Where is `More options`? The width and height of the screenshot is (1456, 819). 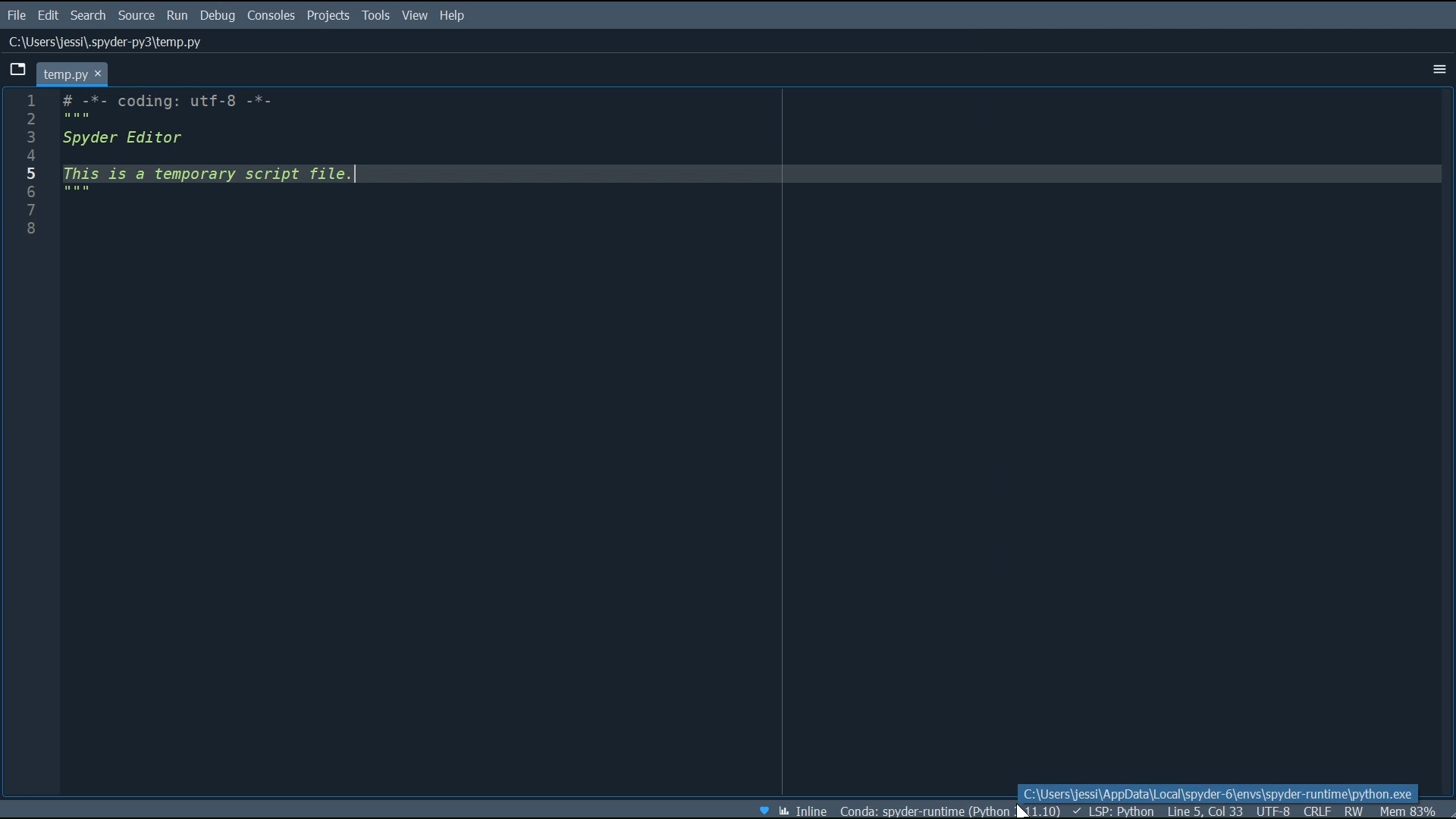 More options is located at coordinates (1437, 71).